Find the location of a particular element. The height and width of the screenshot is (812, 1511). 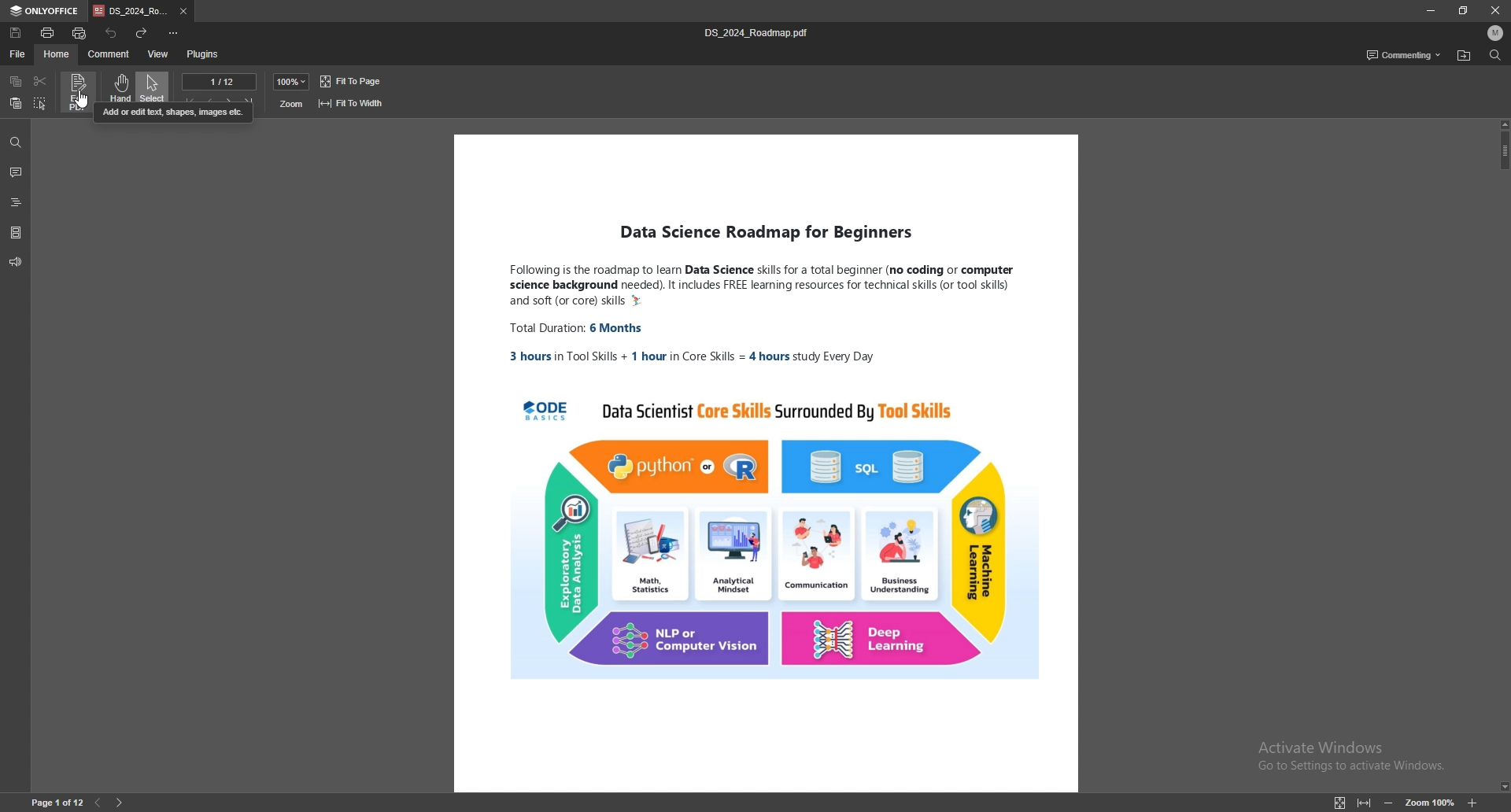

copy is located at coordinates (16, 81).